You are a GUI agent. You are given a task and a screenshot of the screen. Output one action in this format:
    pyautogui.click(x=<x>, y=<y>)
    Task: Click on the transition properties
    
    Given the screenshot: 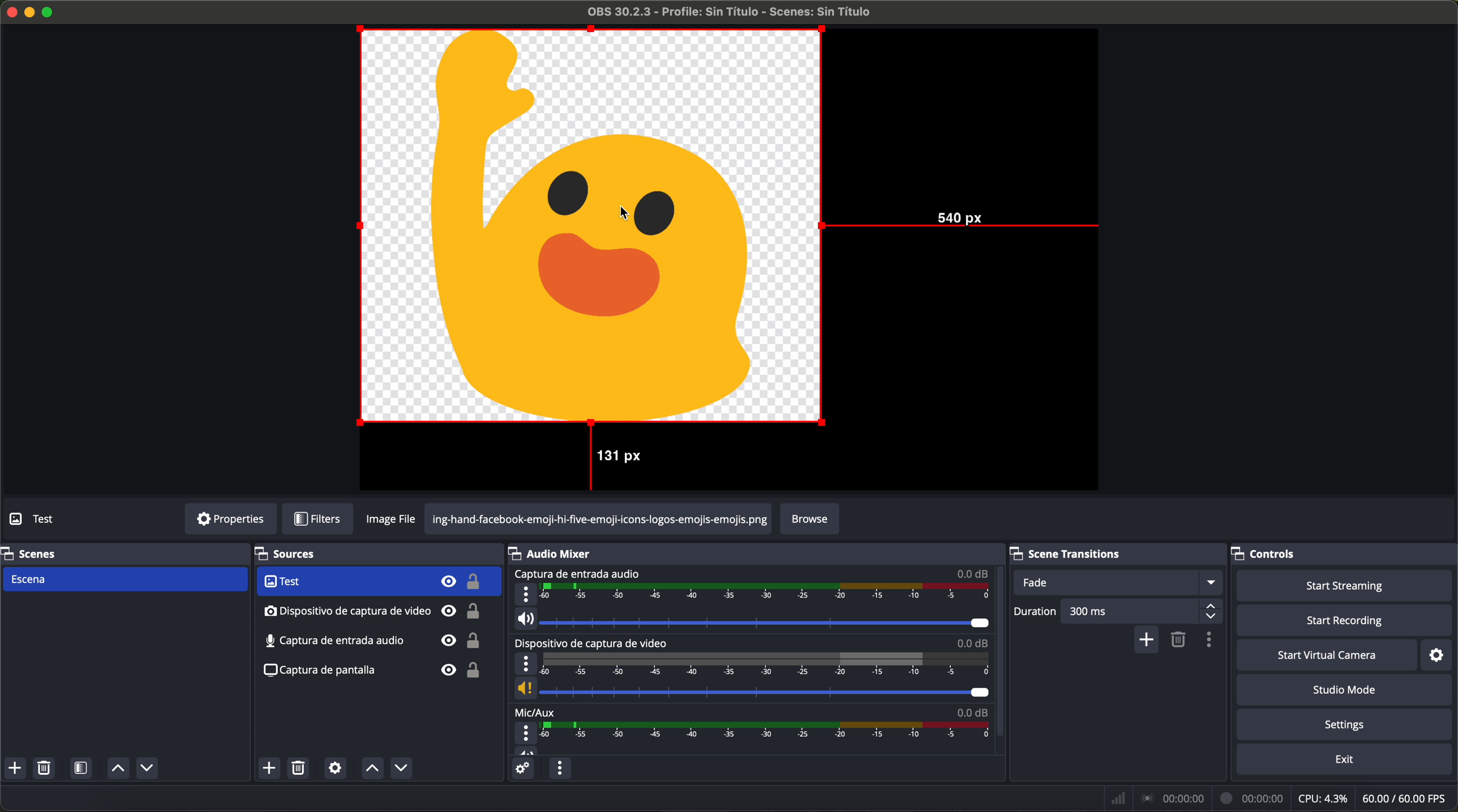 What is the action you would take?
    pyautogui.click(x=1212, y=641)
    